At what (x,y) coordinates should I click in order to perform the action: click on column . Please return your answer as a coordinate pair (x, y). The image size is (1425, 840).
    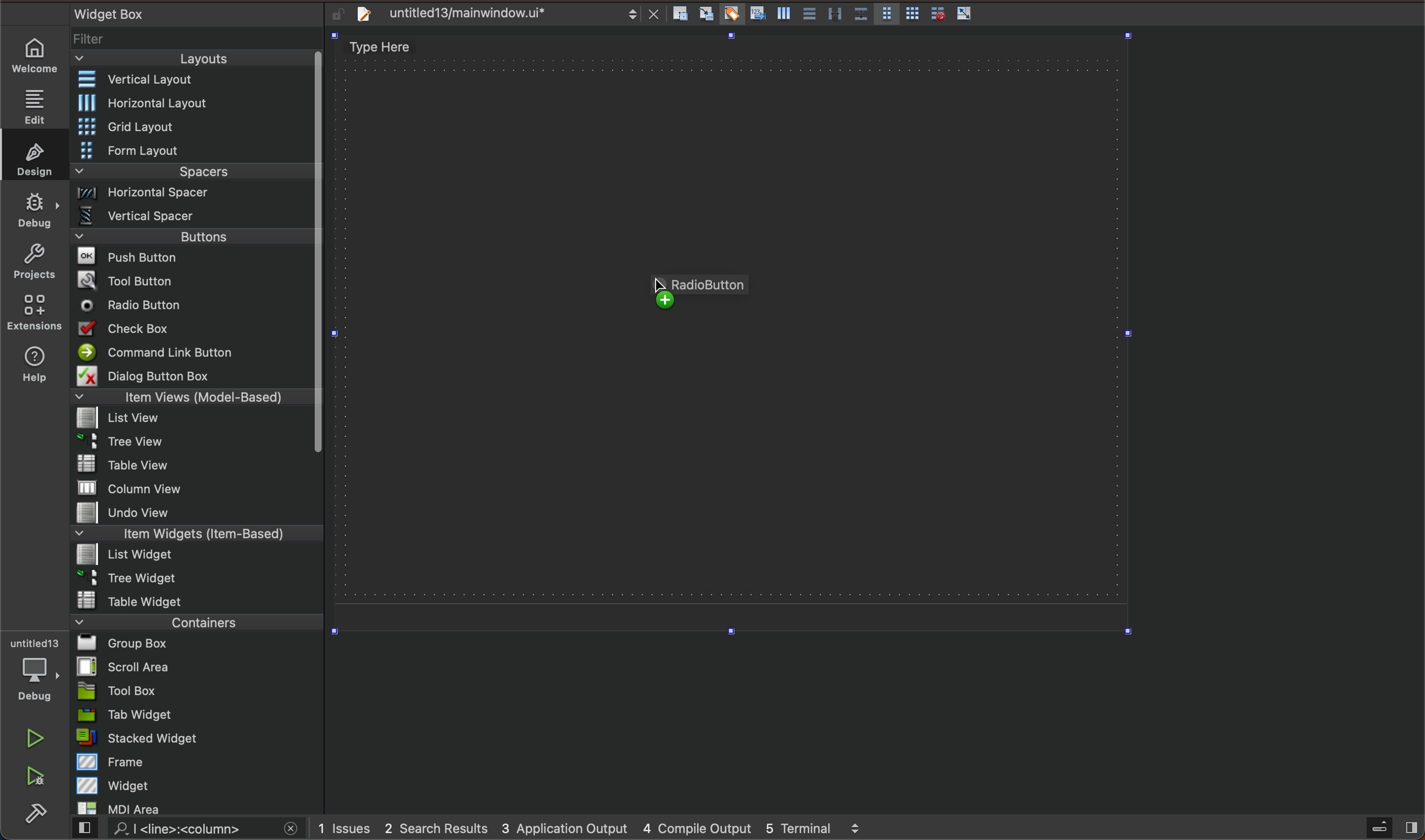
    Looking at the image, I should click on (198, 487).